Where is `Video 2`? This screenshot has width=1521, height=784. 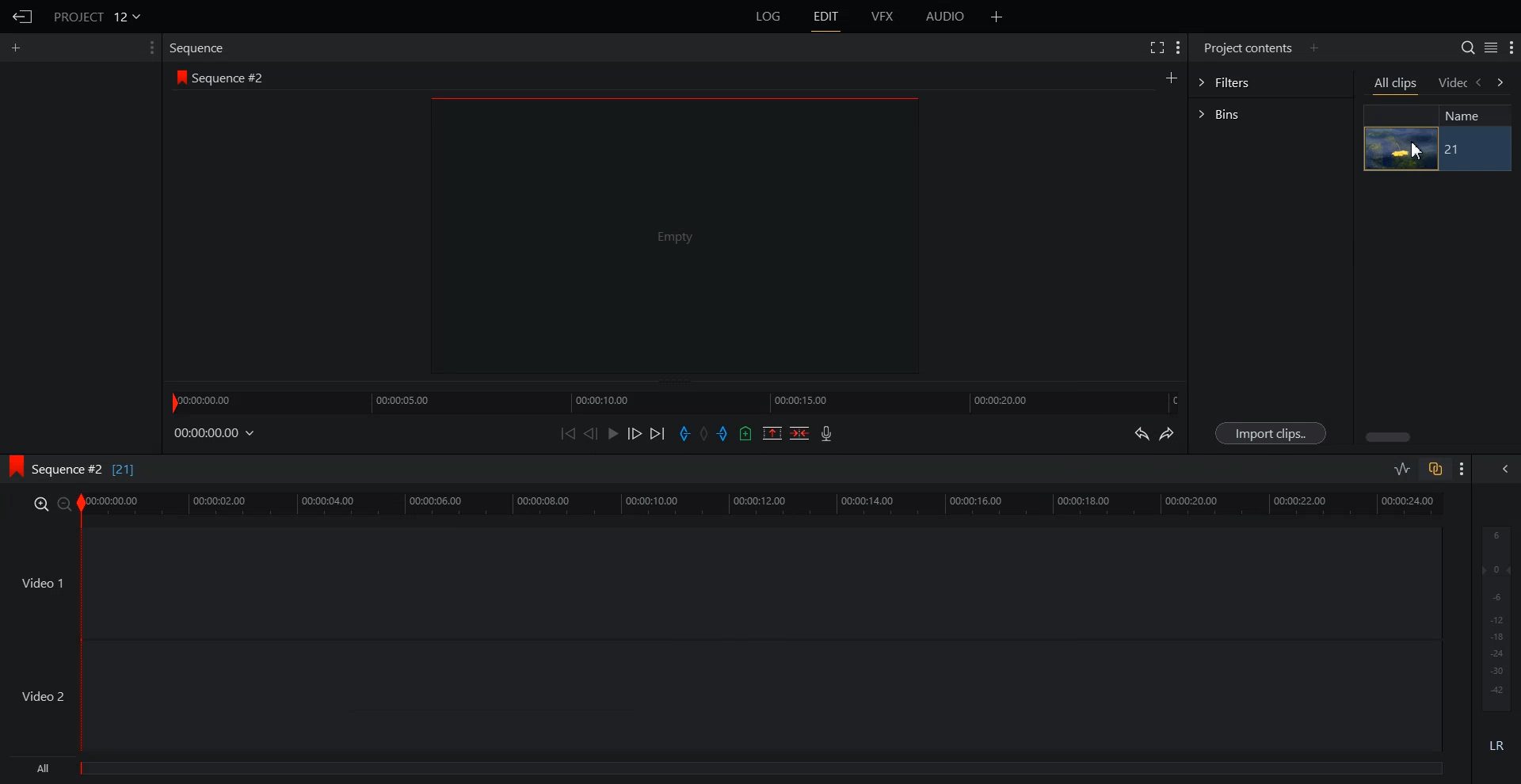
Video 2 is located at coordinates (723, 697).